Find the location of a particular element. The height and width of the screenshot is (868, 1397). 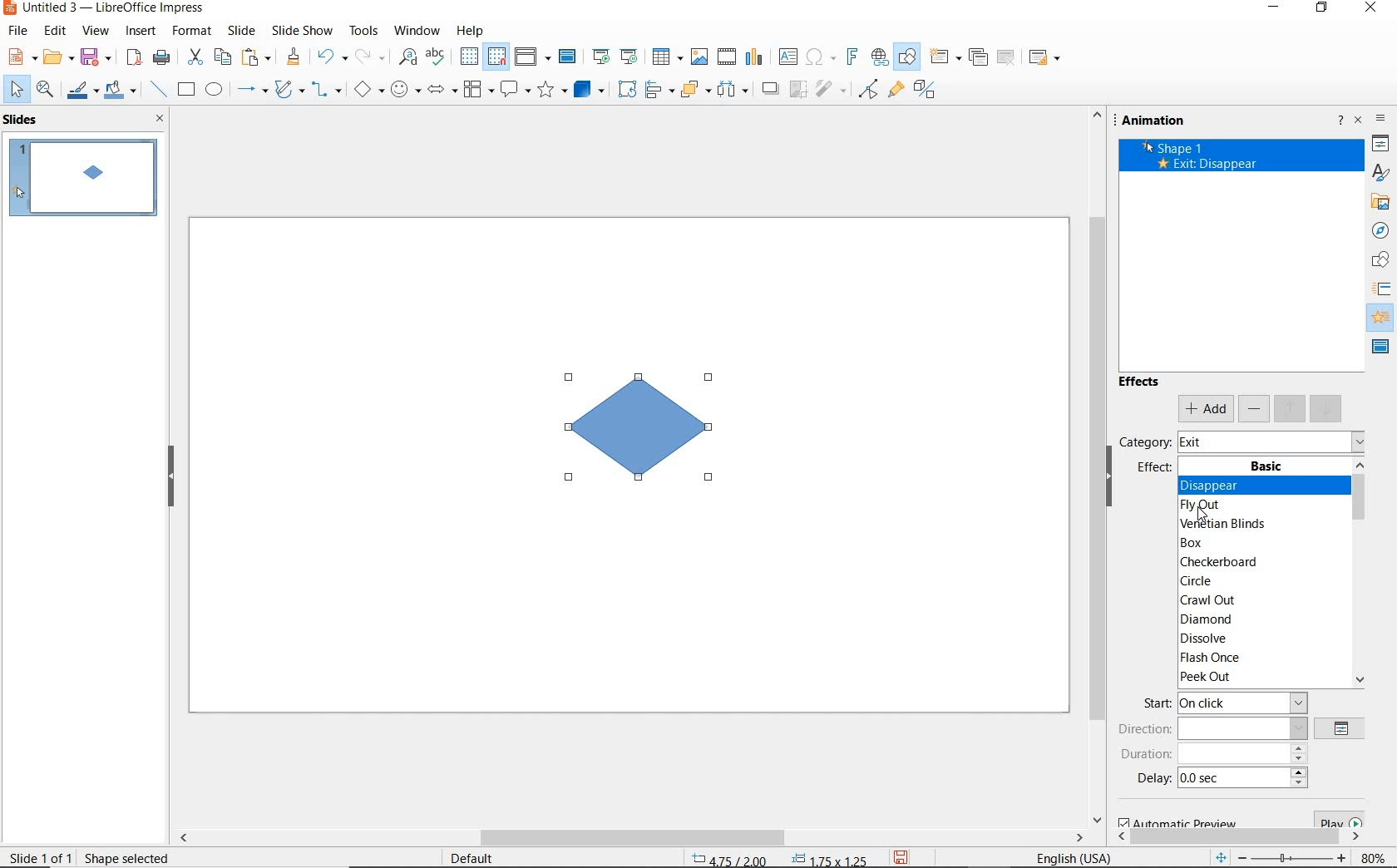

slide layout is located at coordinates (1044, 57).